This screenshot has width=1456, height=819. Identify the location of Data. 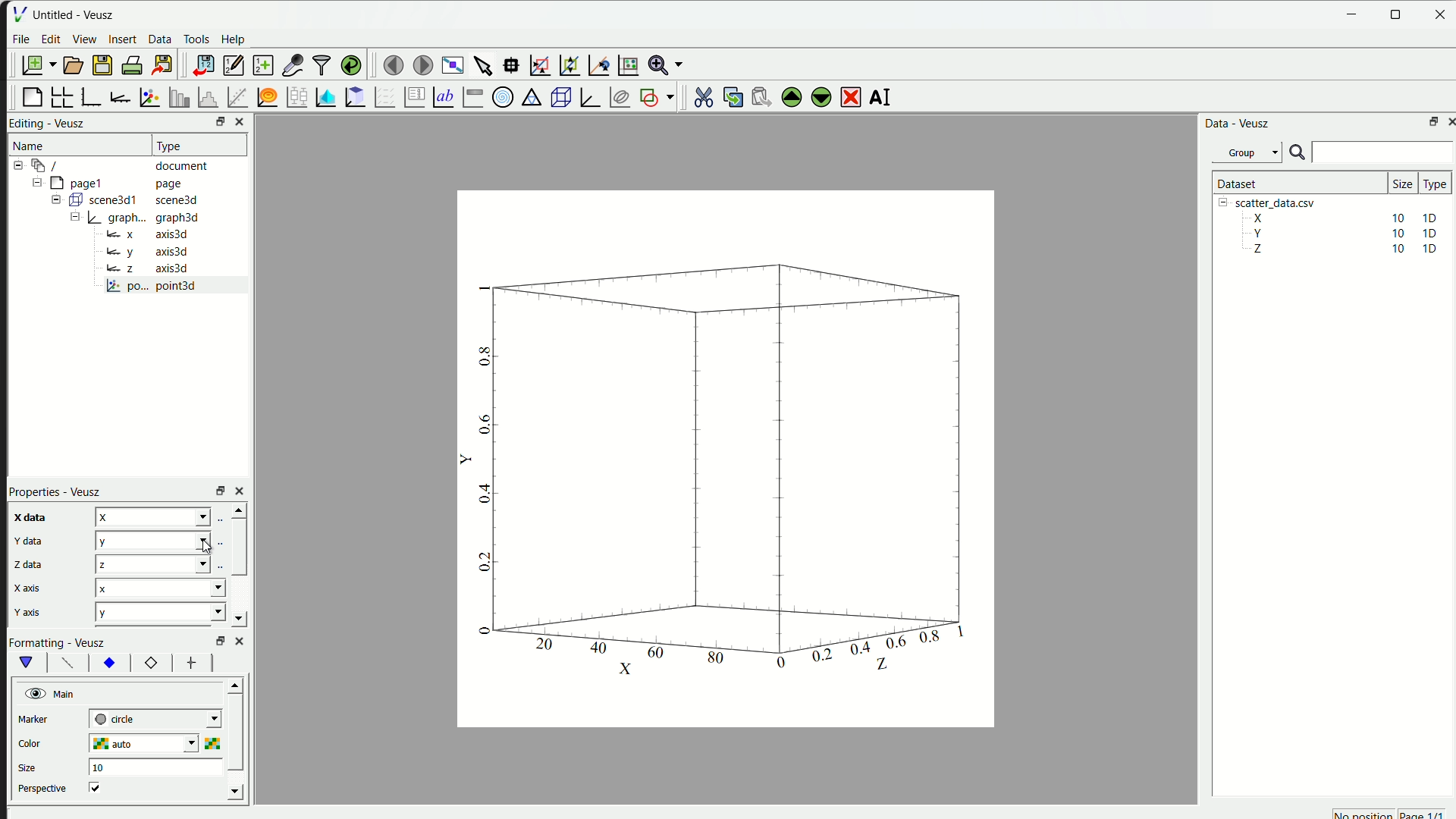
(158, 40).